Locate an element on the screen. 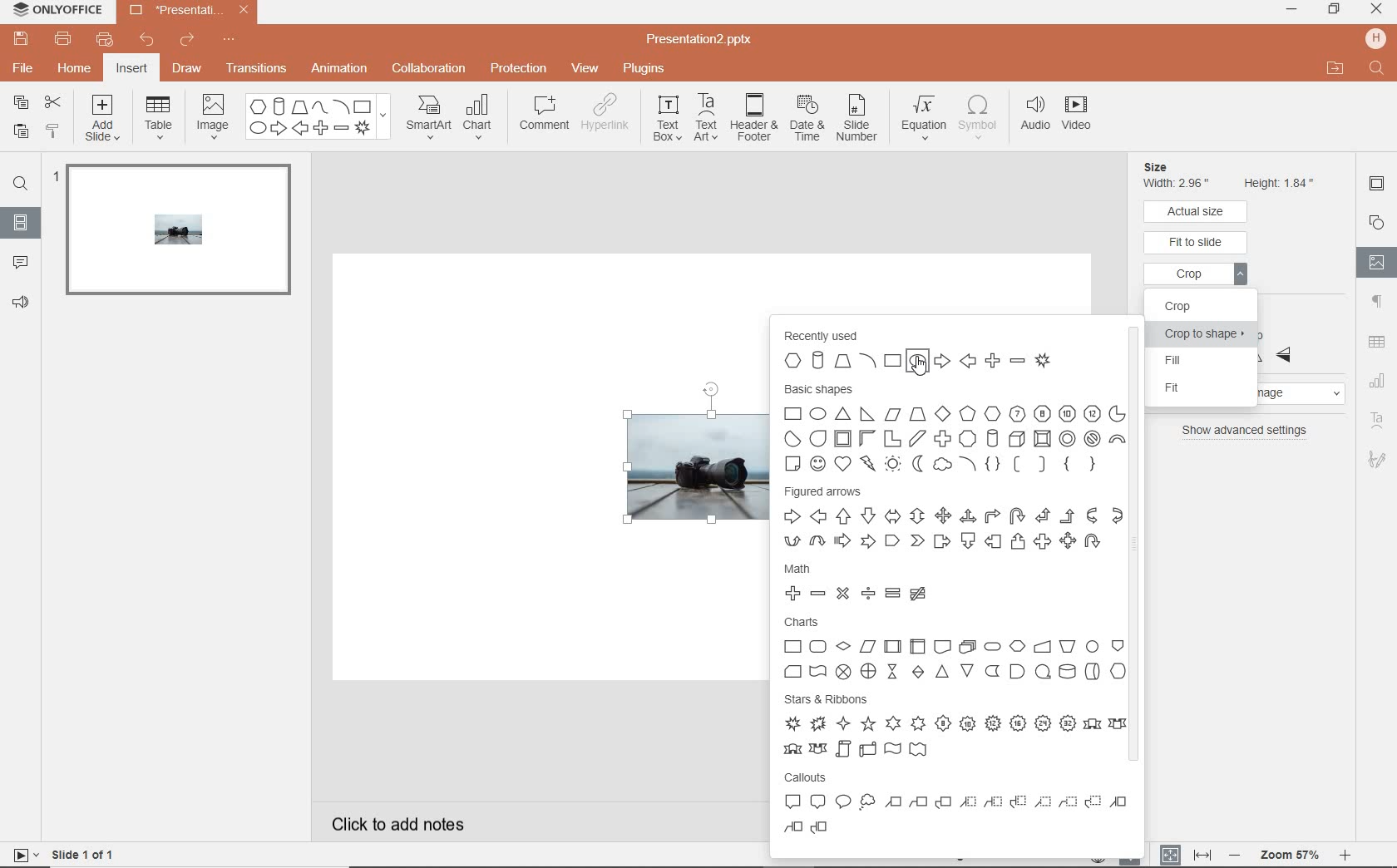 The width and height of the screenshot is (1397, 868). Width 2.96" is located at coordinates (1179, 184).